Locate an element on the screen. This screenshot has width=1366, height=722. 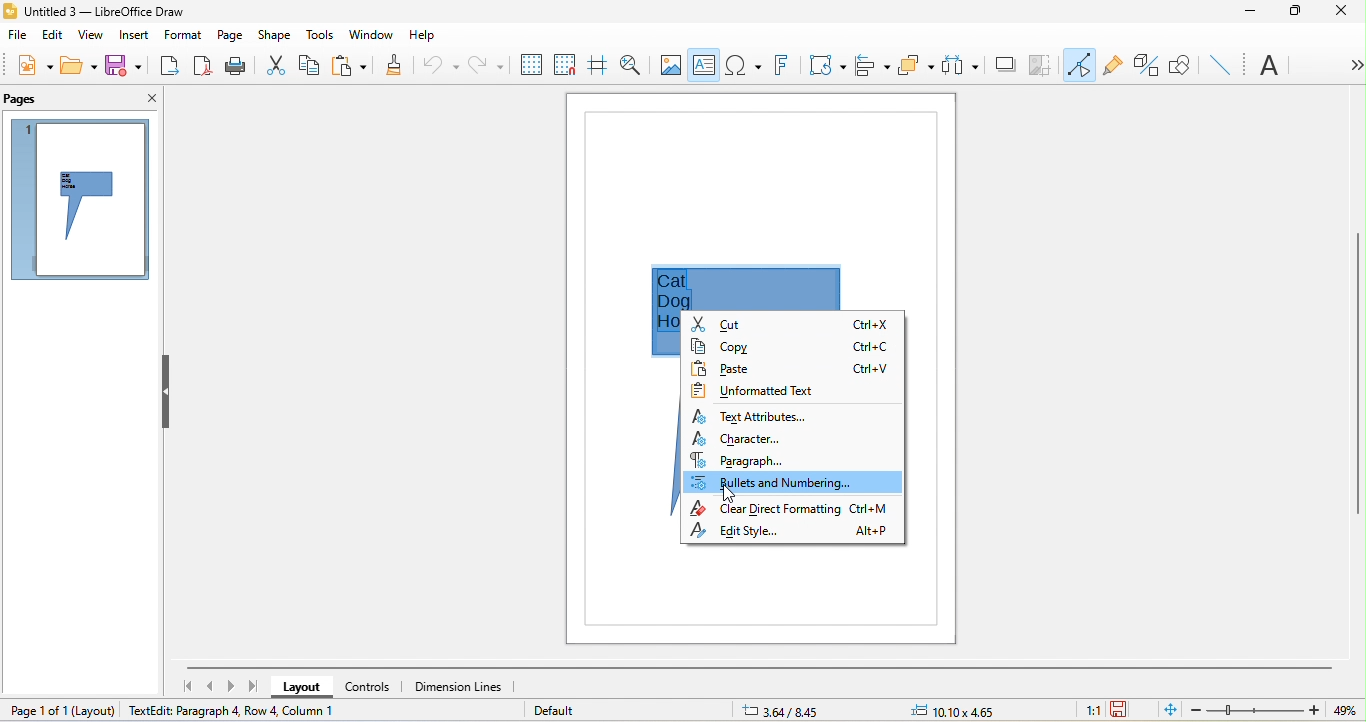
text box is located at coordinates (704, 67).